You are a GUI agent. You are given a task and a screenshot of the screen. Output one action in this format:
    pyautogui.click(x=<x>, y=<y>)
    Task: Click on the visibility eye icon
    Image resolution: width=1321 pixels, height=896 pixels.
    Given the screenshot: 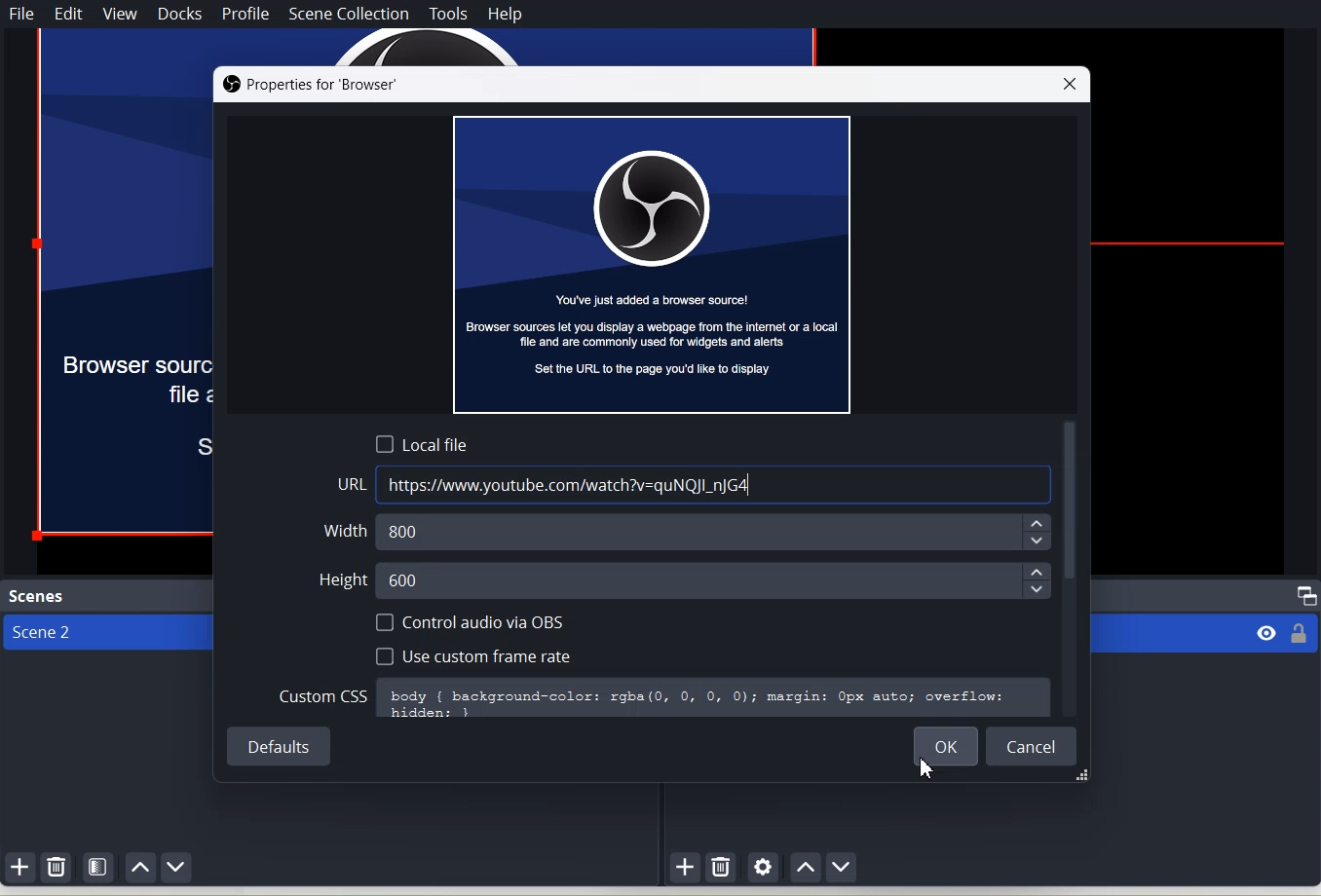 What is the action you would take?
    pyautogui.click(x=1266, y=632)
    